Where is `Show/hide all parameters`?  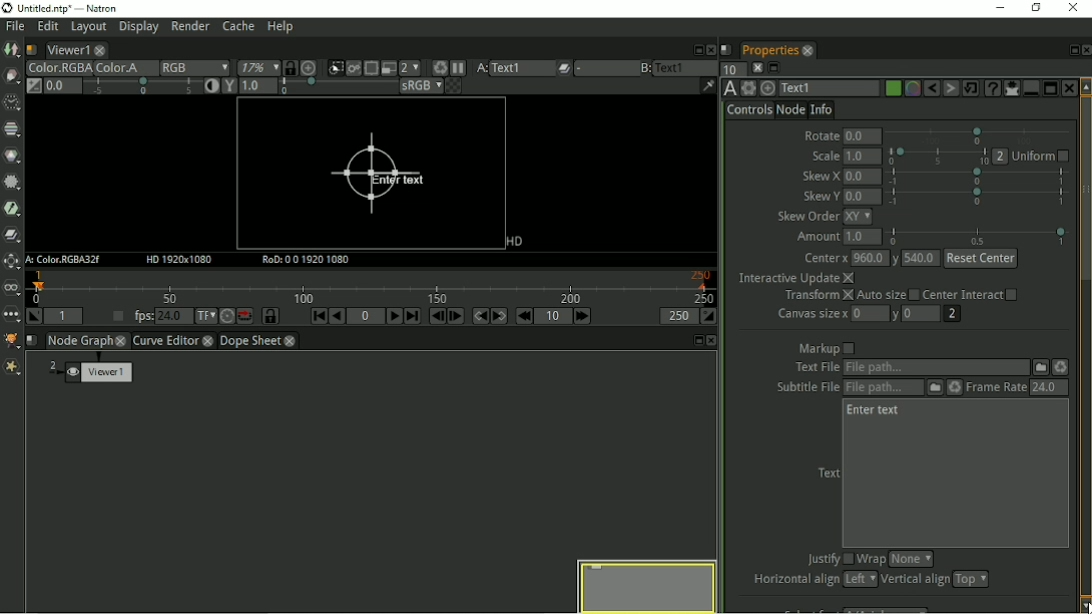 Show/hide all parameters is located at coordinates (1010, 88).